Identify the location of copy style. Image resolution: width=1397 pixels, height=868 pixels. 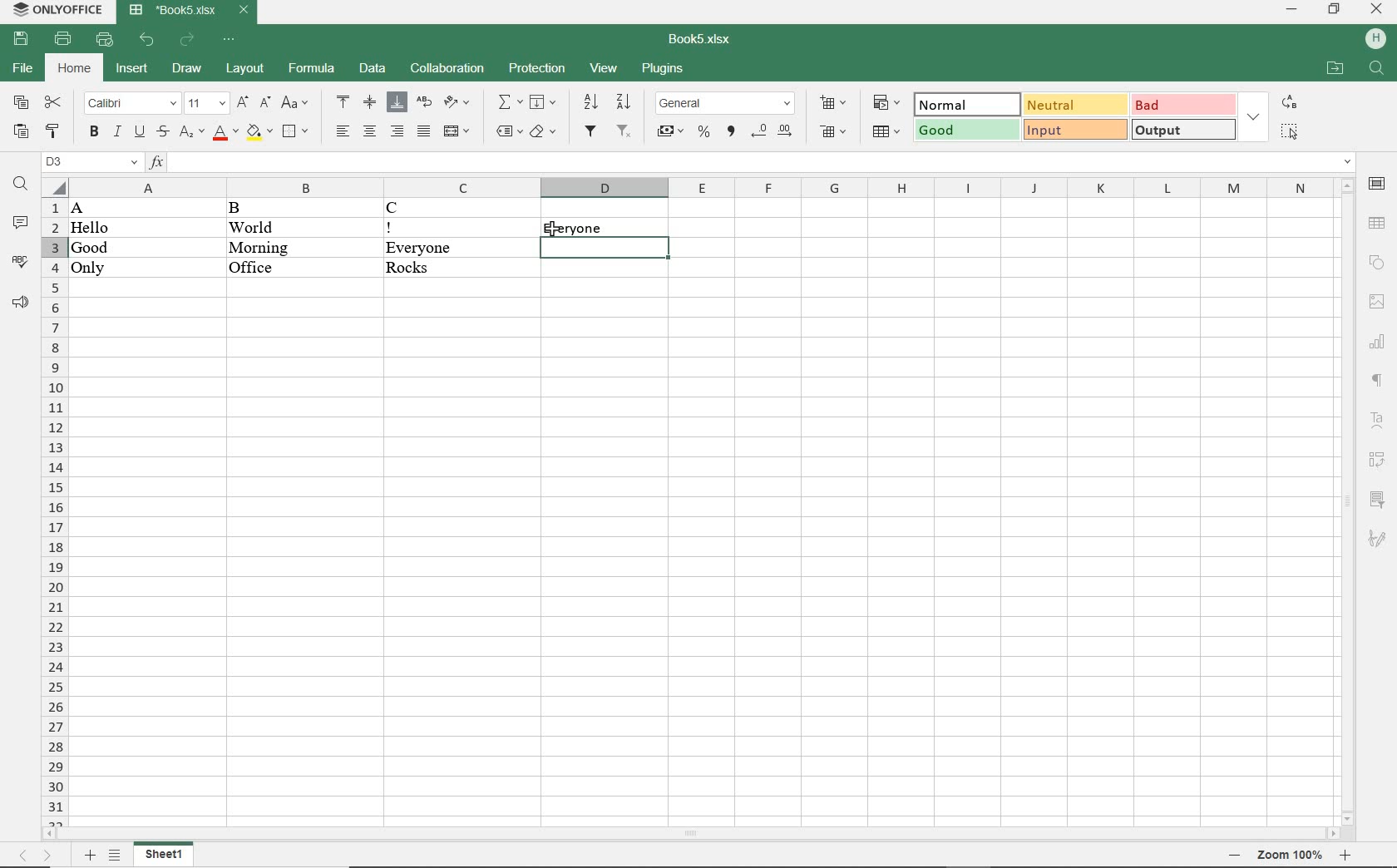
(52, 133).